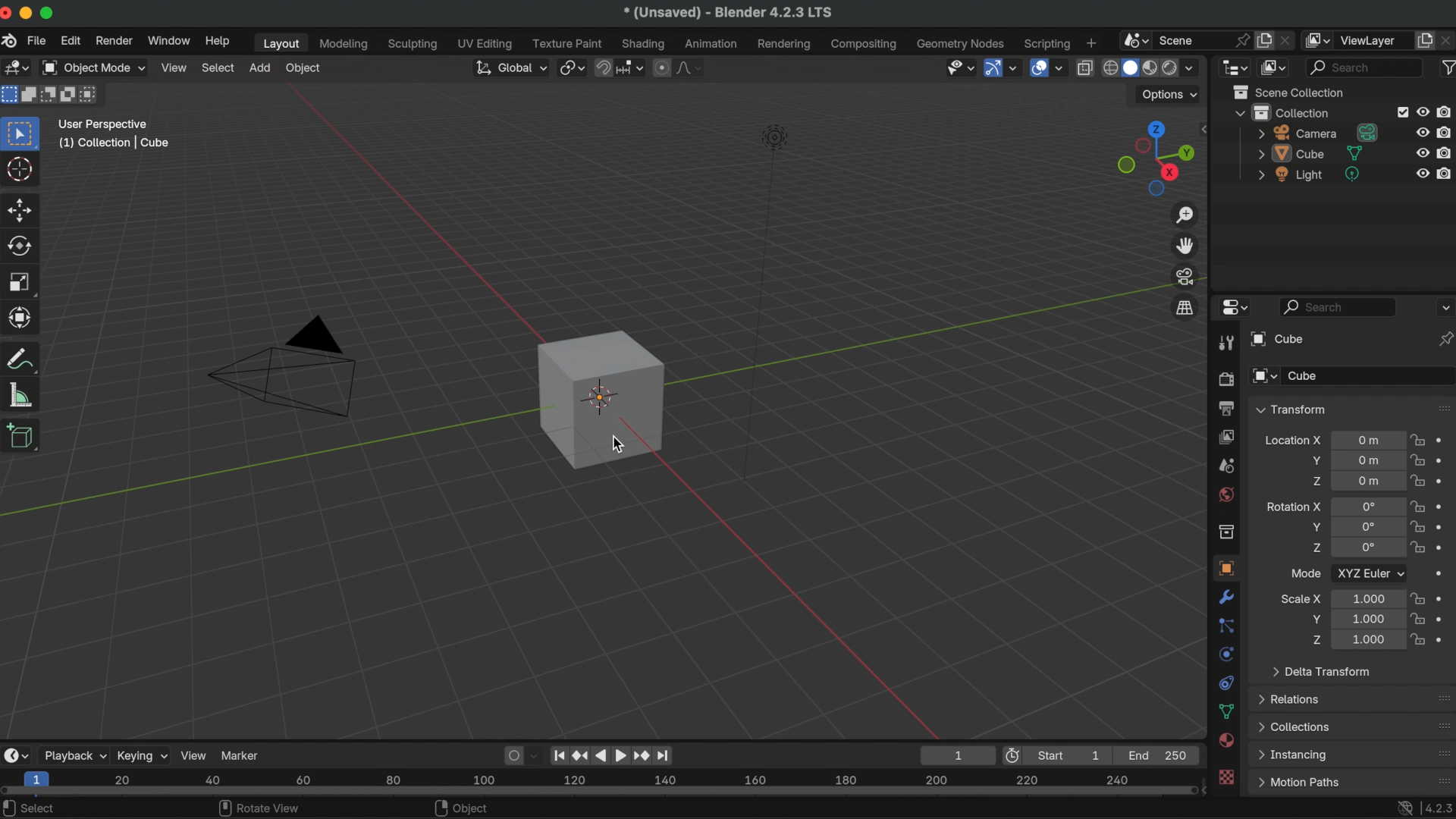 This screenshot has height=819, width=1456. I want to click on selectability & visibility, so click(959, 67).